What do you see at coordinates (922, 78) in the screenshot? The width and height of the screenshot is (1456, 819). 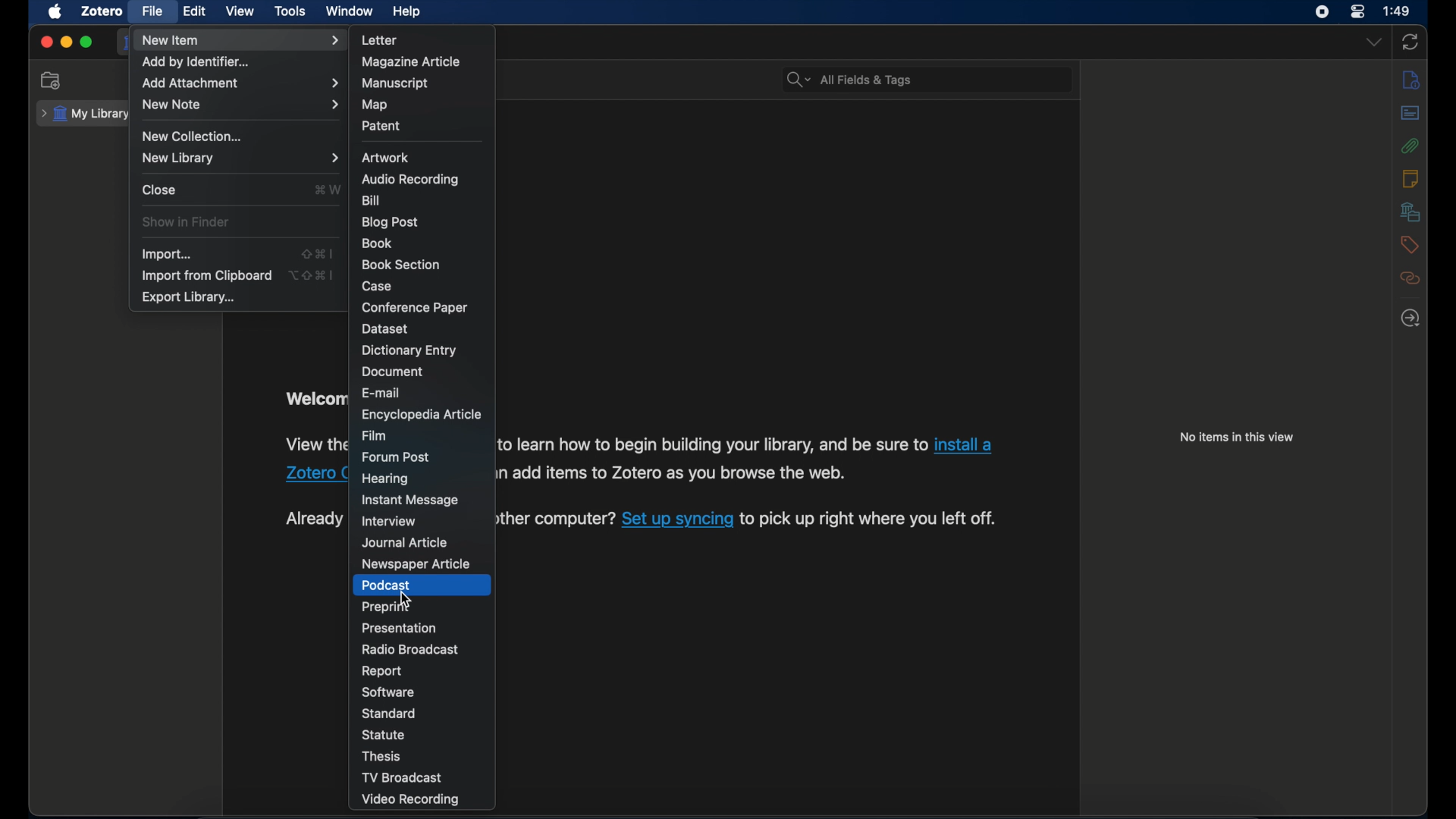 I see `All Fields & Tags` at bounding box center [922, 78].